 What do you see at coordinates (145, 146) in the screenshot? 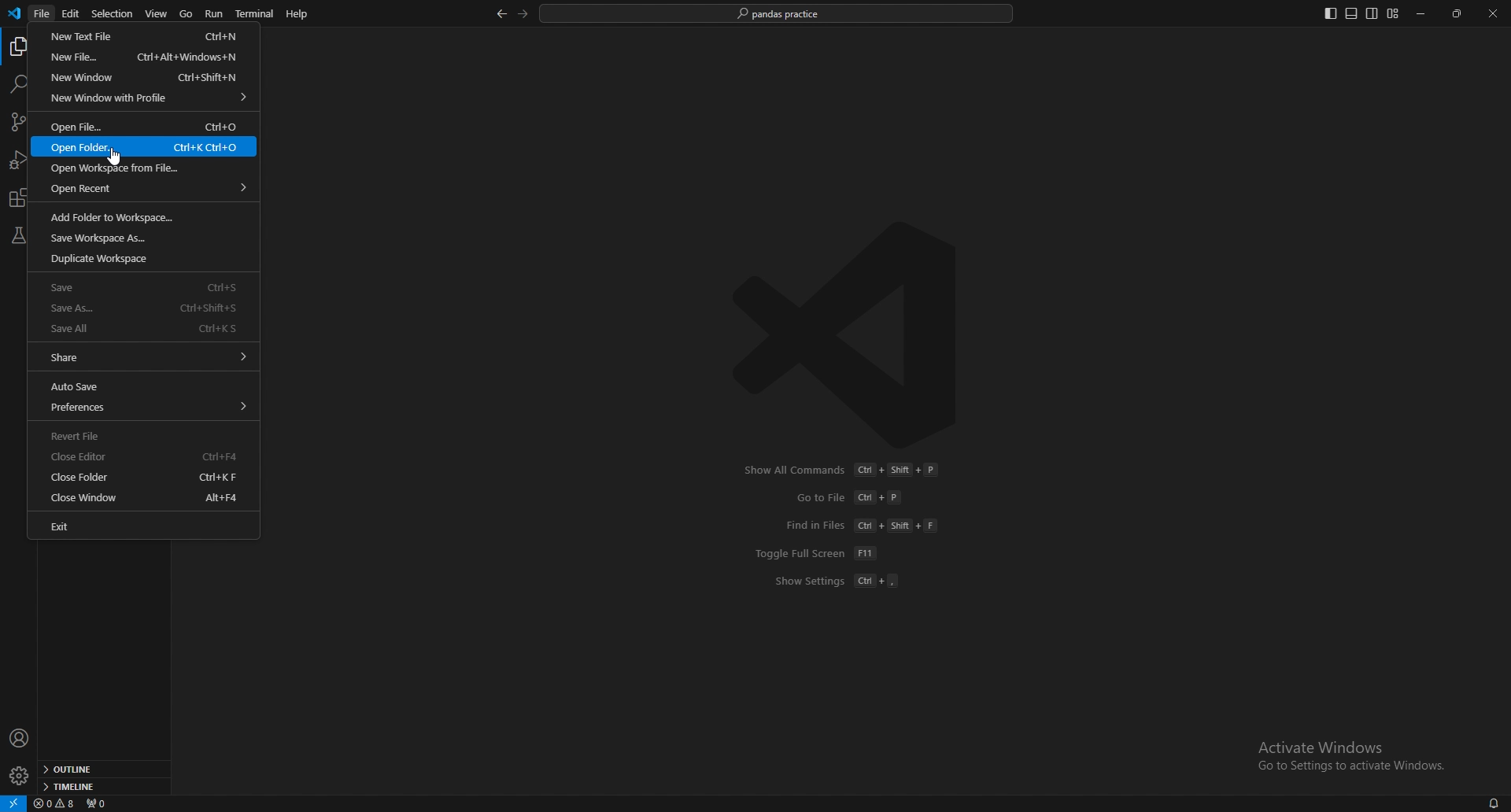
I see `open folder` at bounding box center [145, 146].